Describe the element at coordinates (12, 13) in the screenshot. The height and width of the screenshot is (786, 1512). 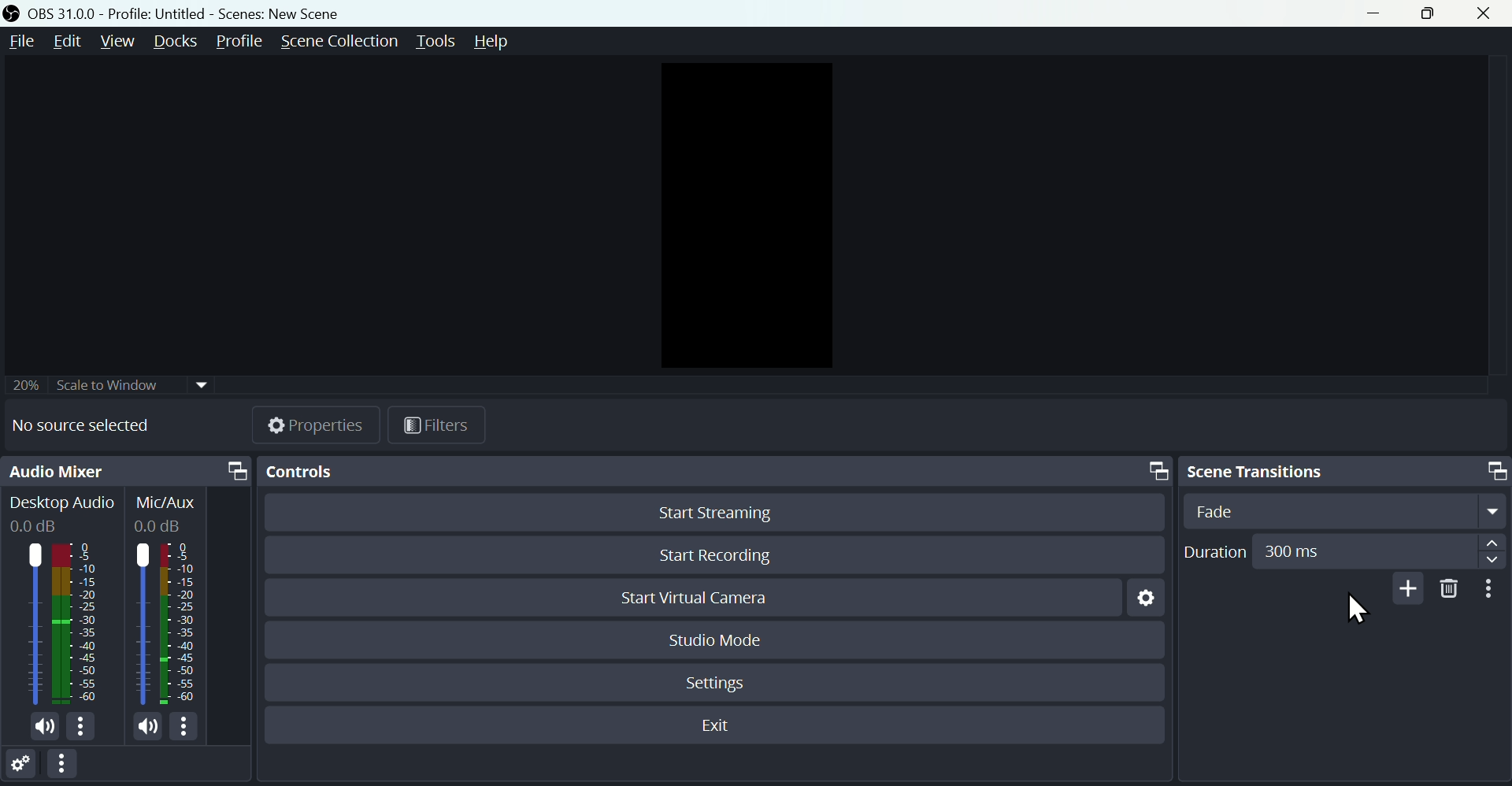
I see `OBS Studio Desktop icon` at that location.